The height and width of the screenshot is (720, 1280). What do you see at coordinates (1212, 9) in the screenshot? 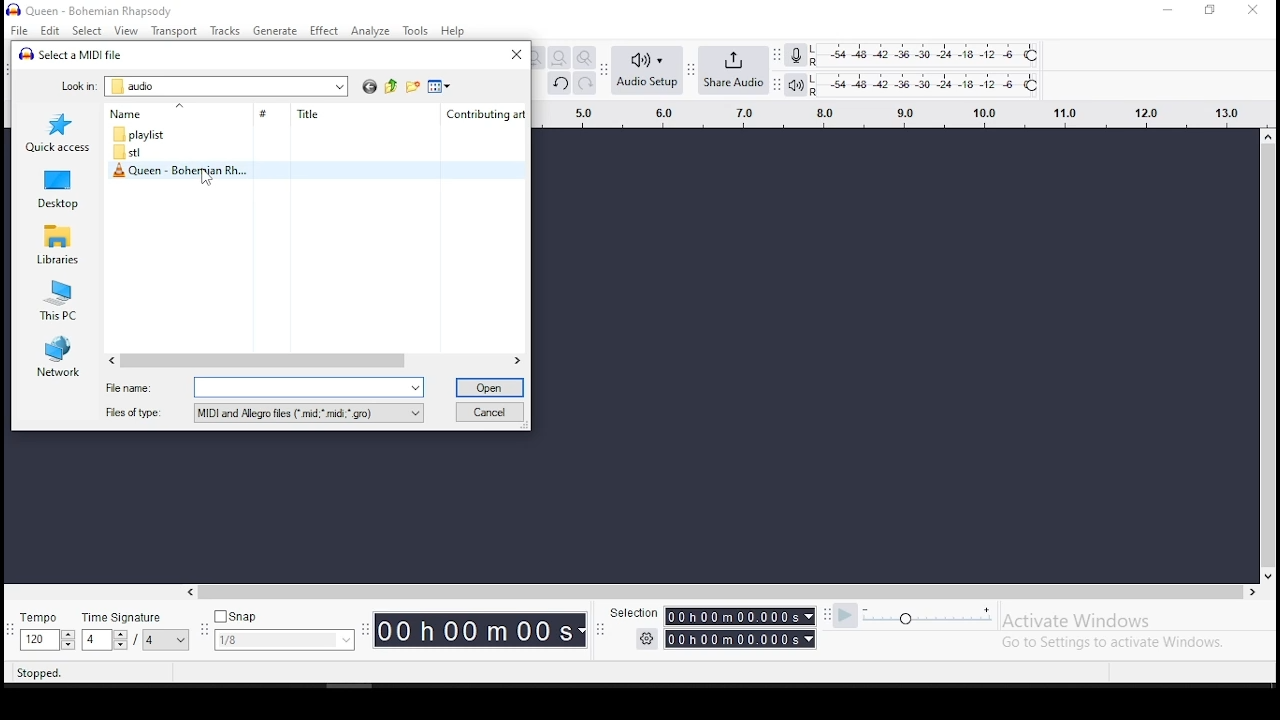
I see `restore` at bounding box center [1212, 9].